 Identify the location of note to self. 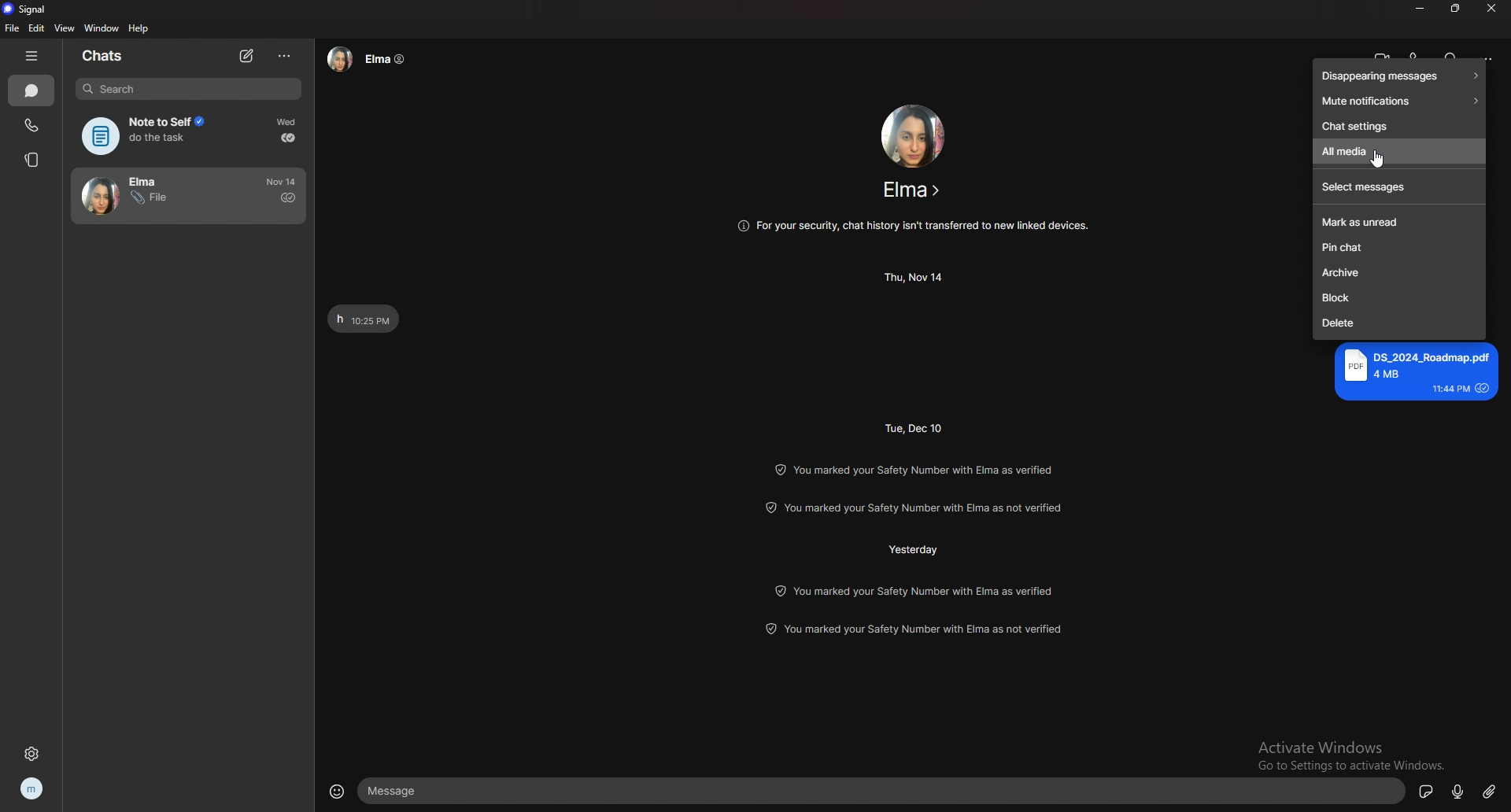
(153, 136).